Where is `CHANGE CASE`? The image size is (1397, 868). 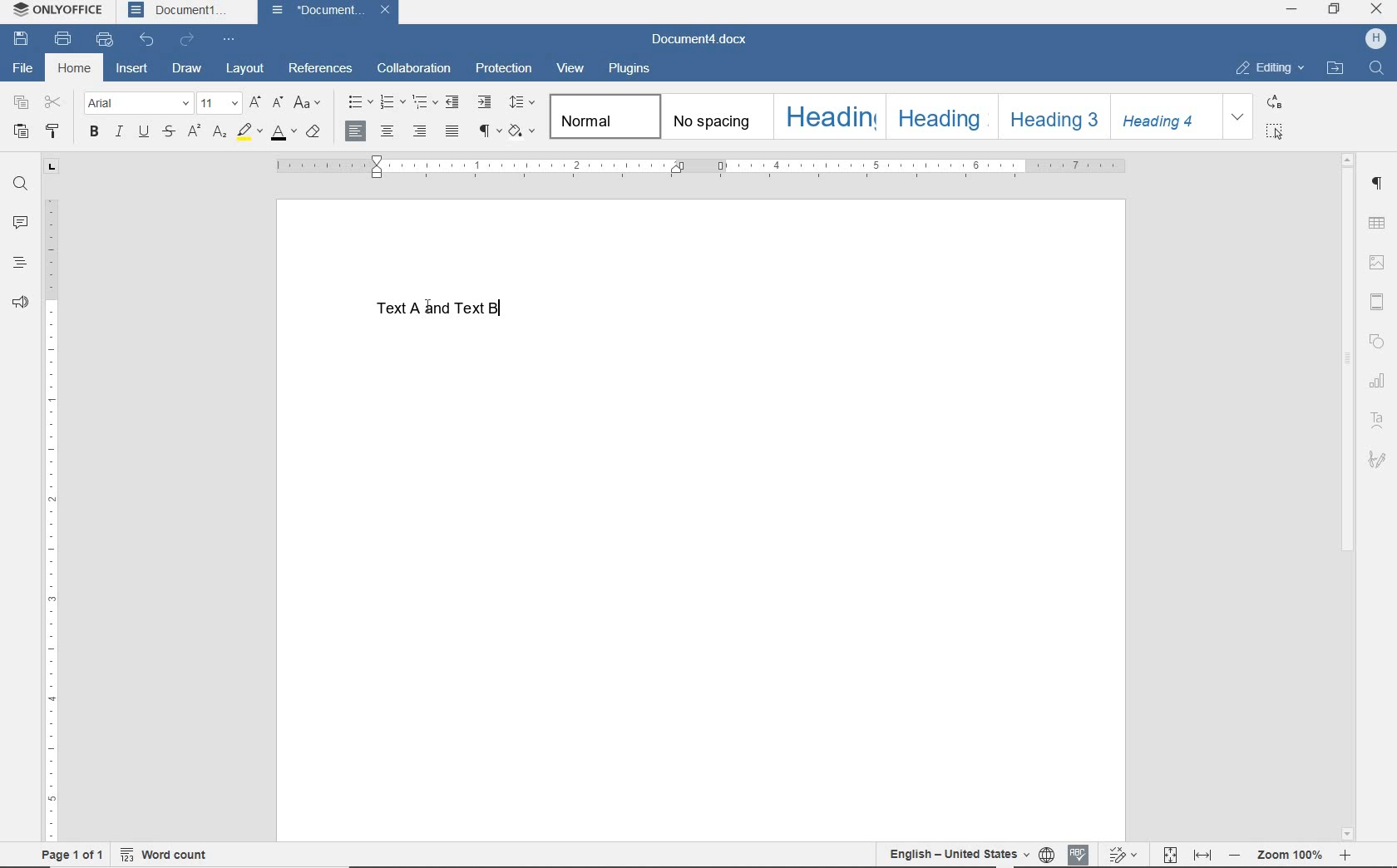
CHANGE CASE is located at coordinates (308, 104).